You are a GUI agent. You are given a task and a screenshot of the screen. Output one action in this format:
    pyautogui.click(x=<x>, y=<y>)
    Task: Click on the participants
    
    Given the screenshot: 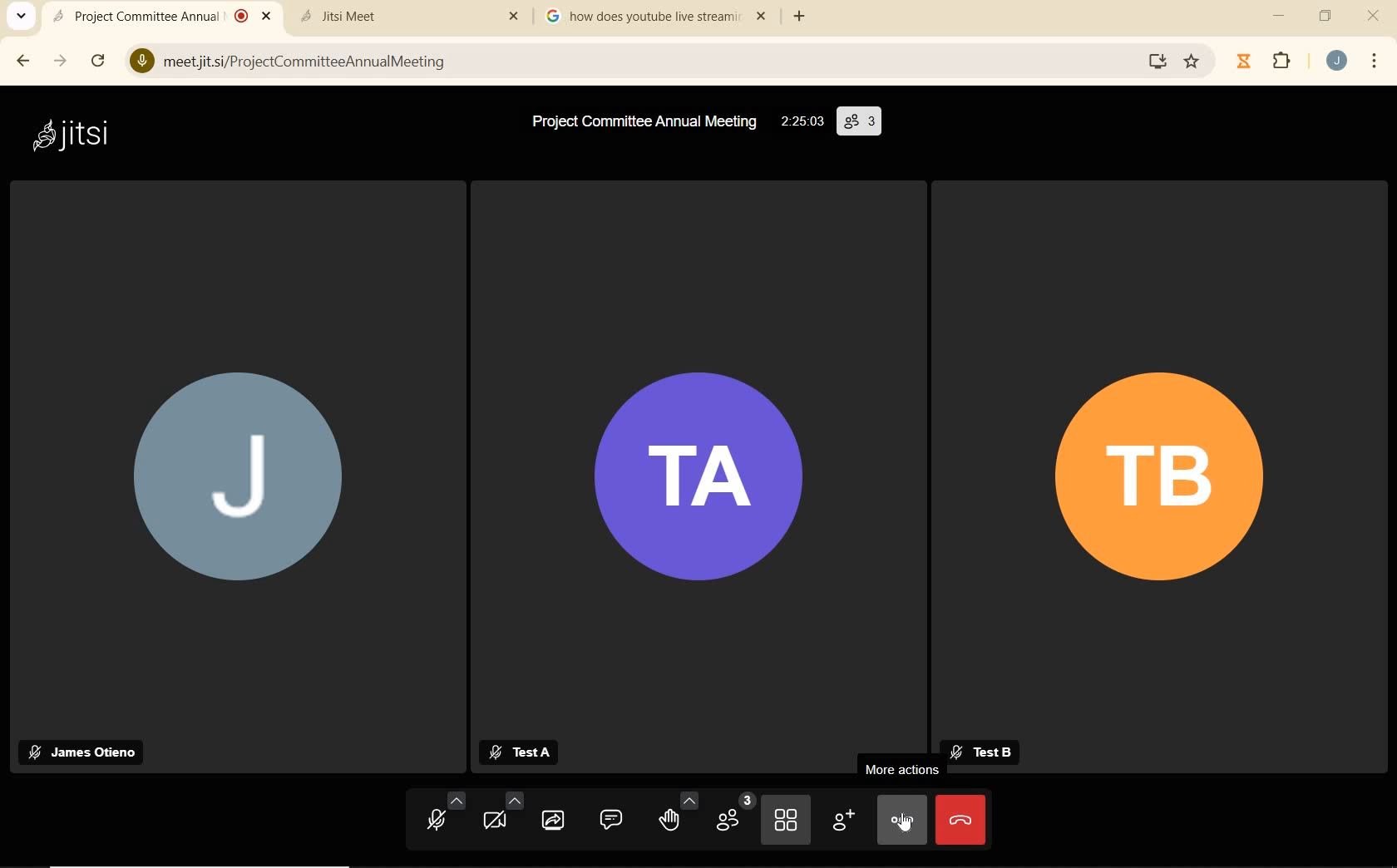 What is the action you would take?
    pyautogui.click(x=733, y=816)
    